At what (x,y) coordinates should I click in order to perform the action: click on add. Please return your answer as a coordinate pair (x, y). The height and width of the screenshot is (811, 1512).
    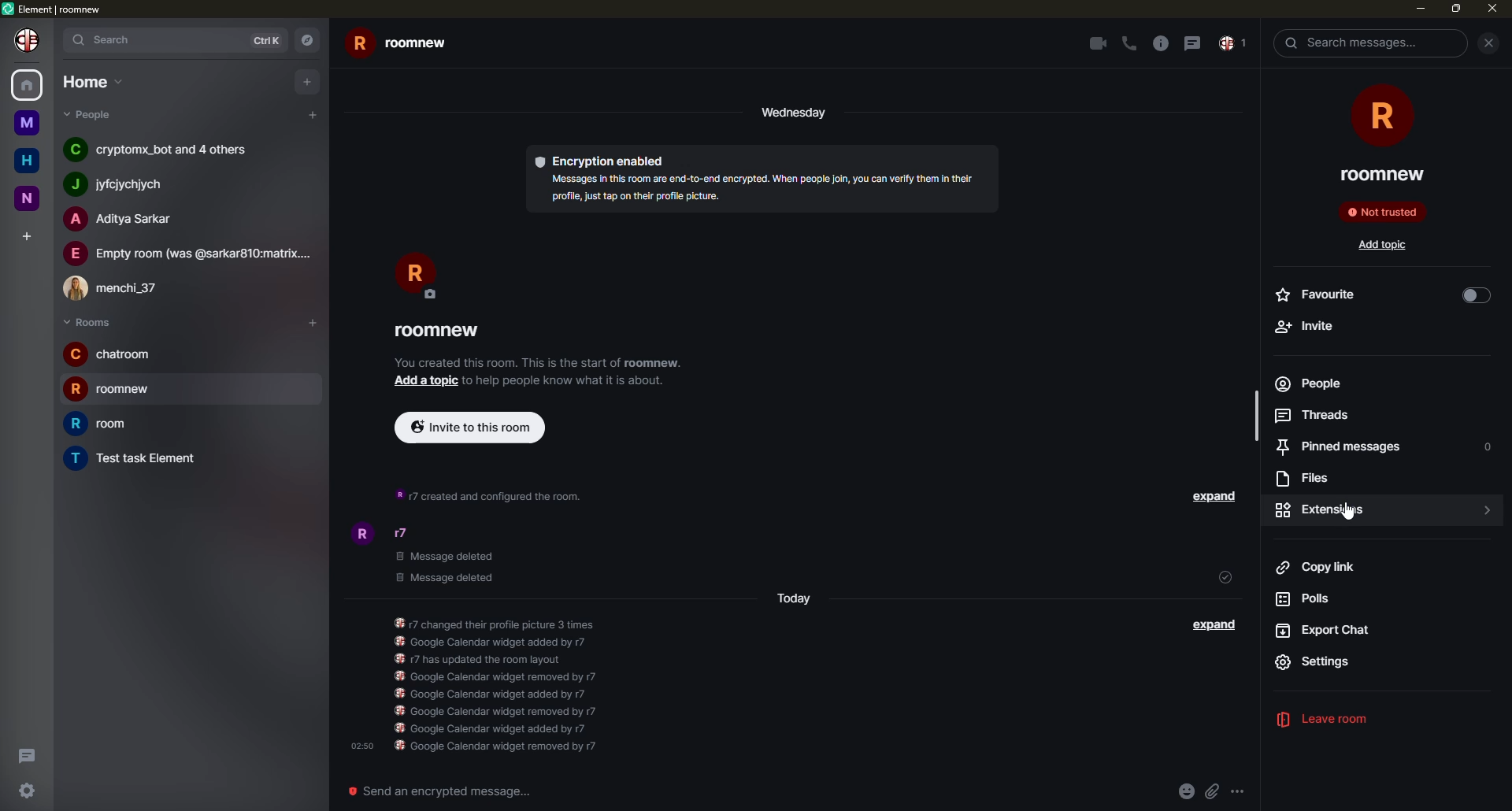
    Looking at the image, I should click on (313, 321).